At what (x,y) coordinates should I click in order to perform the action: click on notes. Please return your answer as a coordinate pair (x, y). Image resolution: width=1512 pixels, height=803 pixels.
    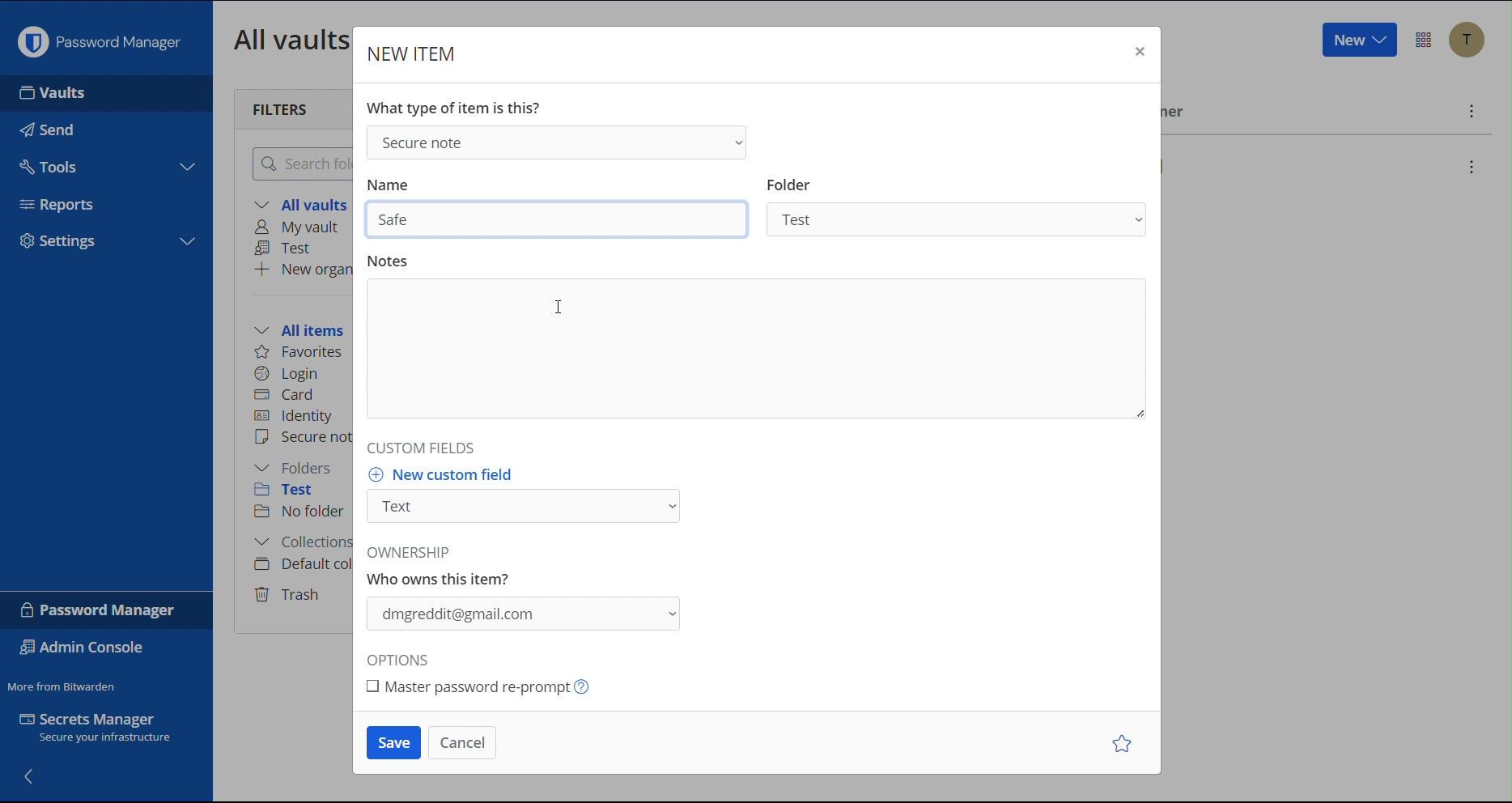
    Looking at the image, I should click on (389, 260).